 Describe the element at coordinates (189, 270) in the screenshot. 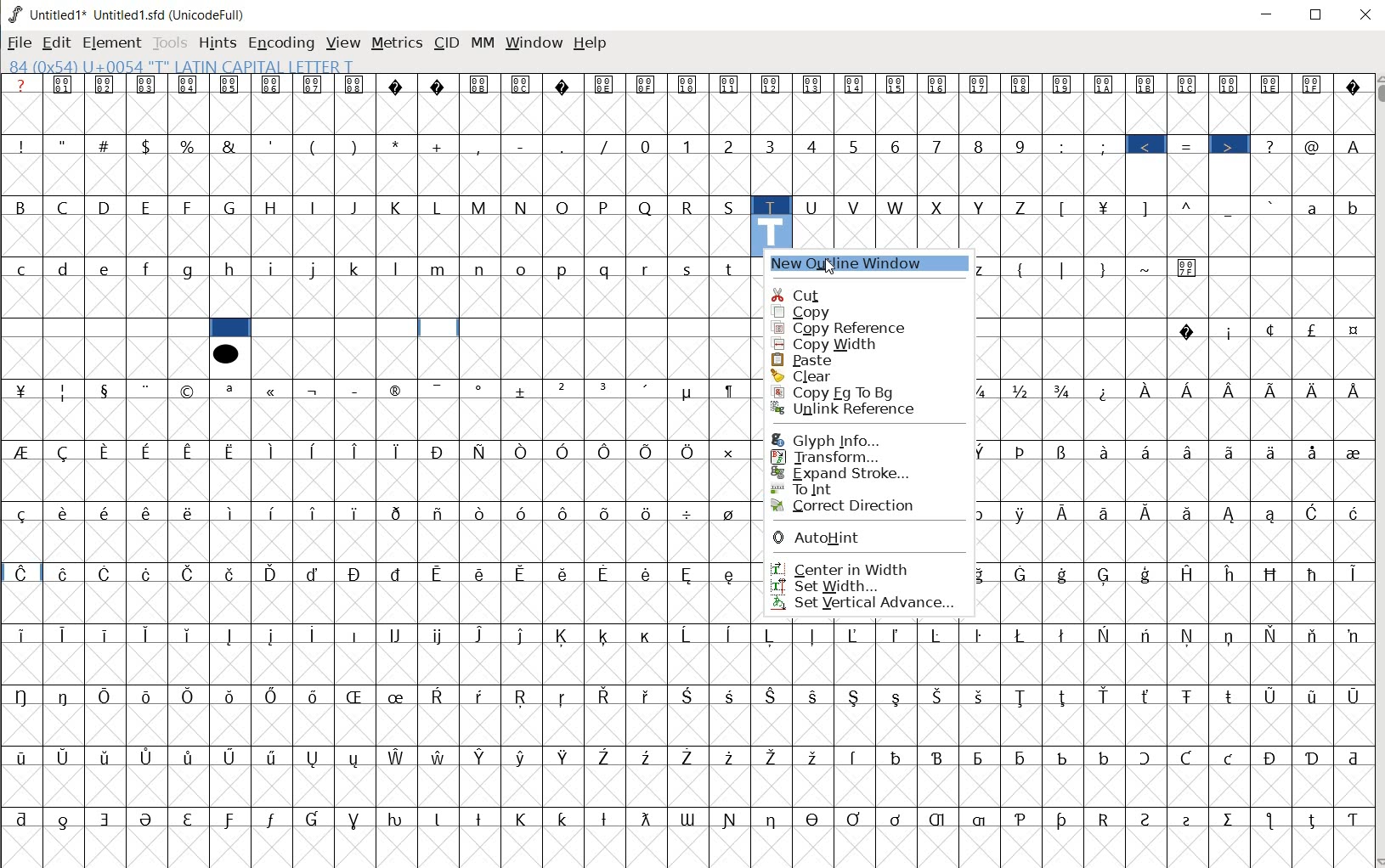

I see `g` at that location.